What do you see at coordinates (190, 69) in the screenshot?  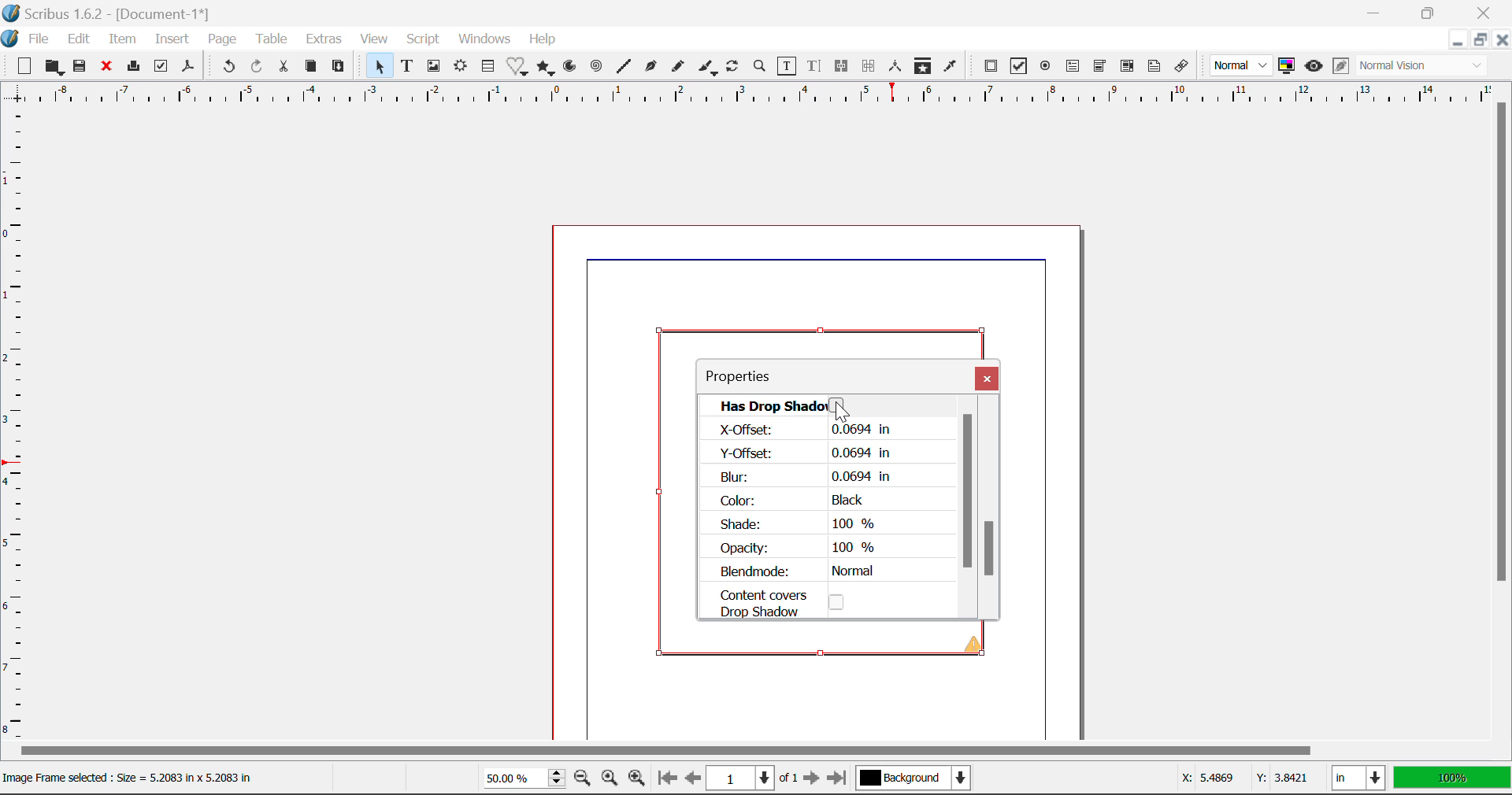 I see `Save as Pdf` at bounding box center [190, 69].